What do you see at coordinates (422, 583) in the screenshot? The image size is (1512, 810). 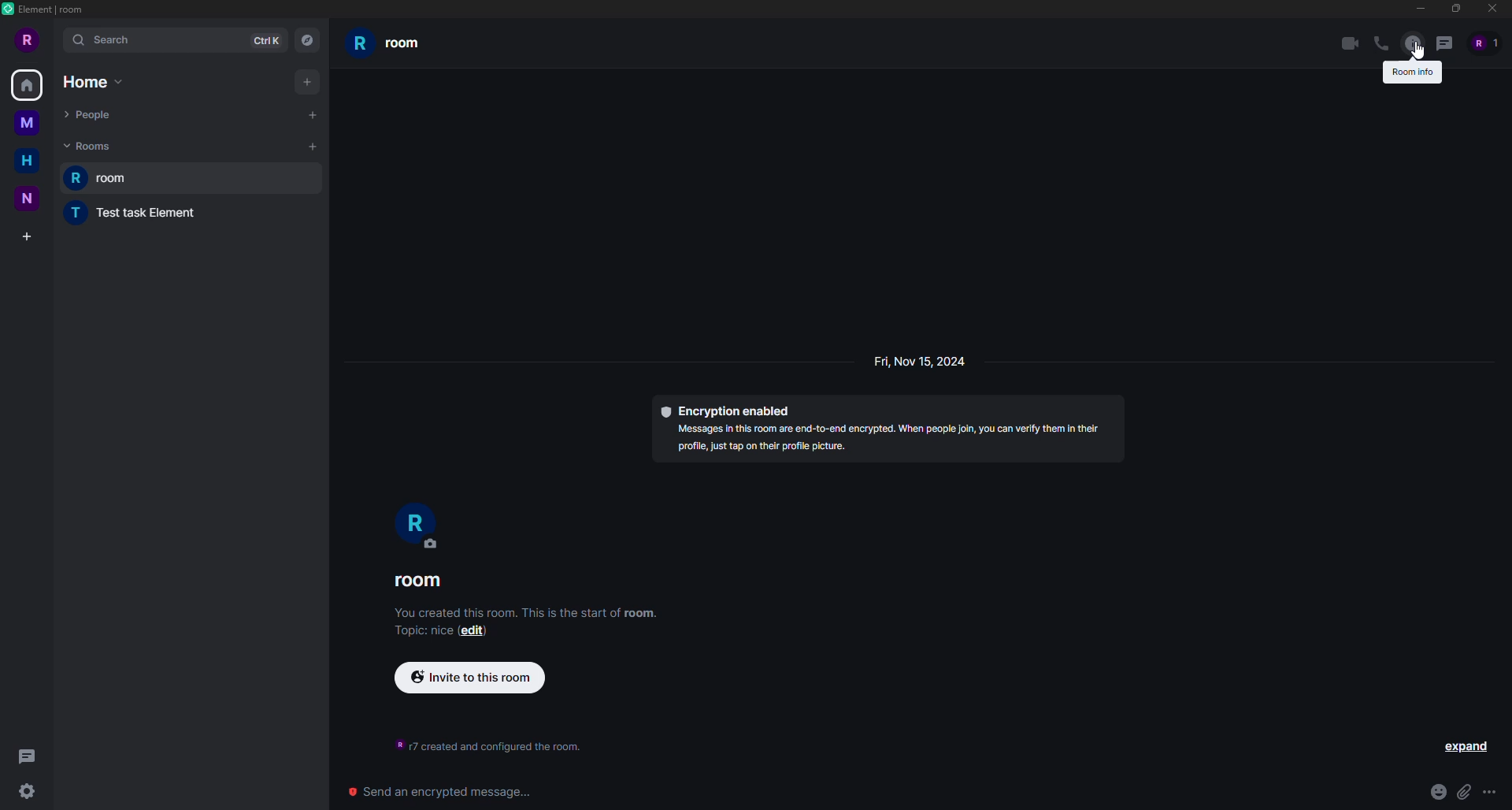 I see `room` at bounding box center [422, 583].